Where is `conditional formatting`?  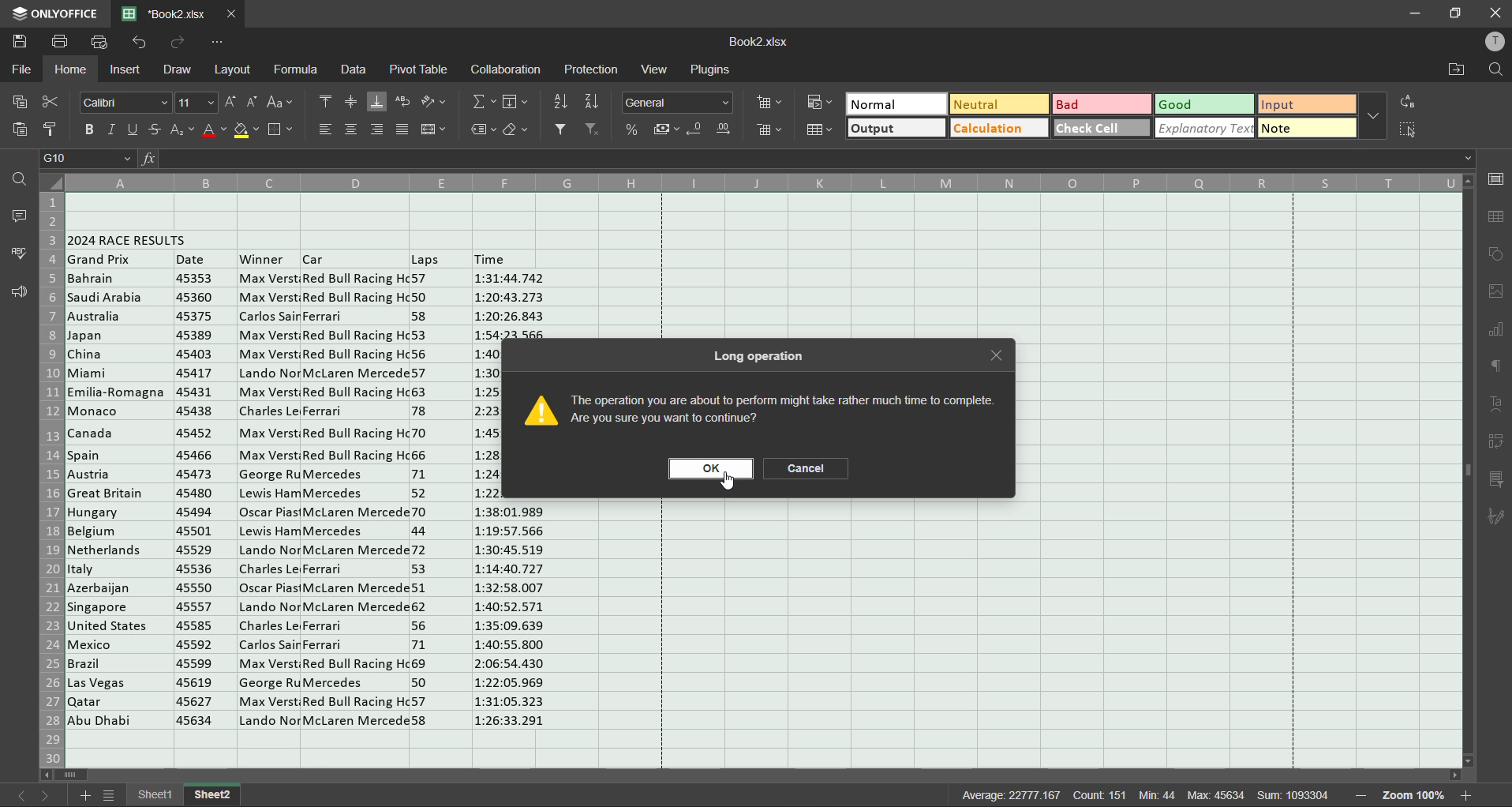
conditional formatting is located at coordinates (818, 100).